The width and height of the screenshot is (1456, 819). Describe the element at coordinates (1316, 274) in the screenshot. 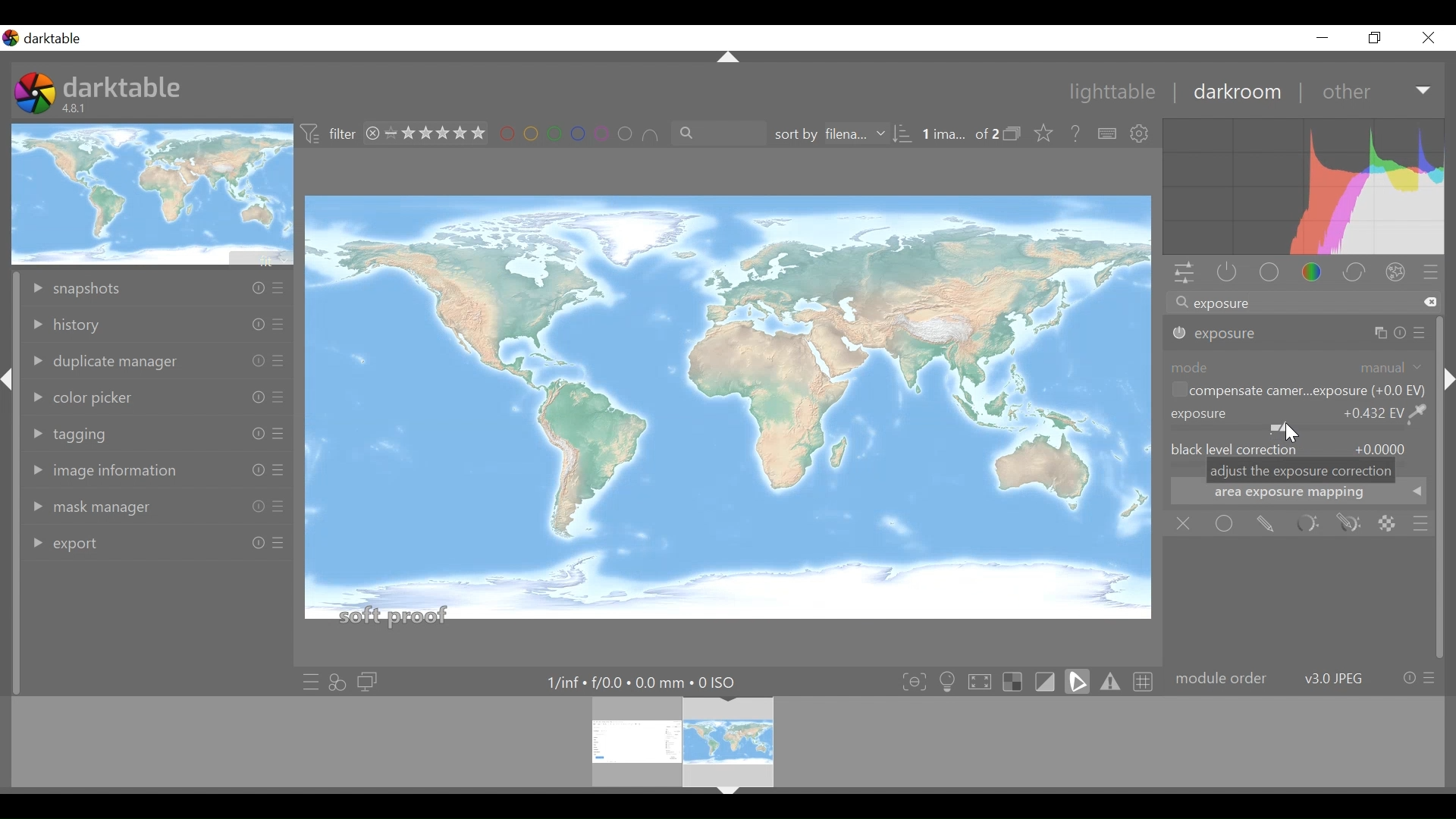

I see `color` at that location.